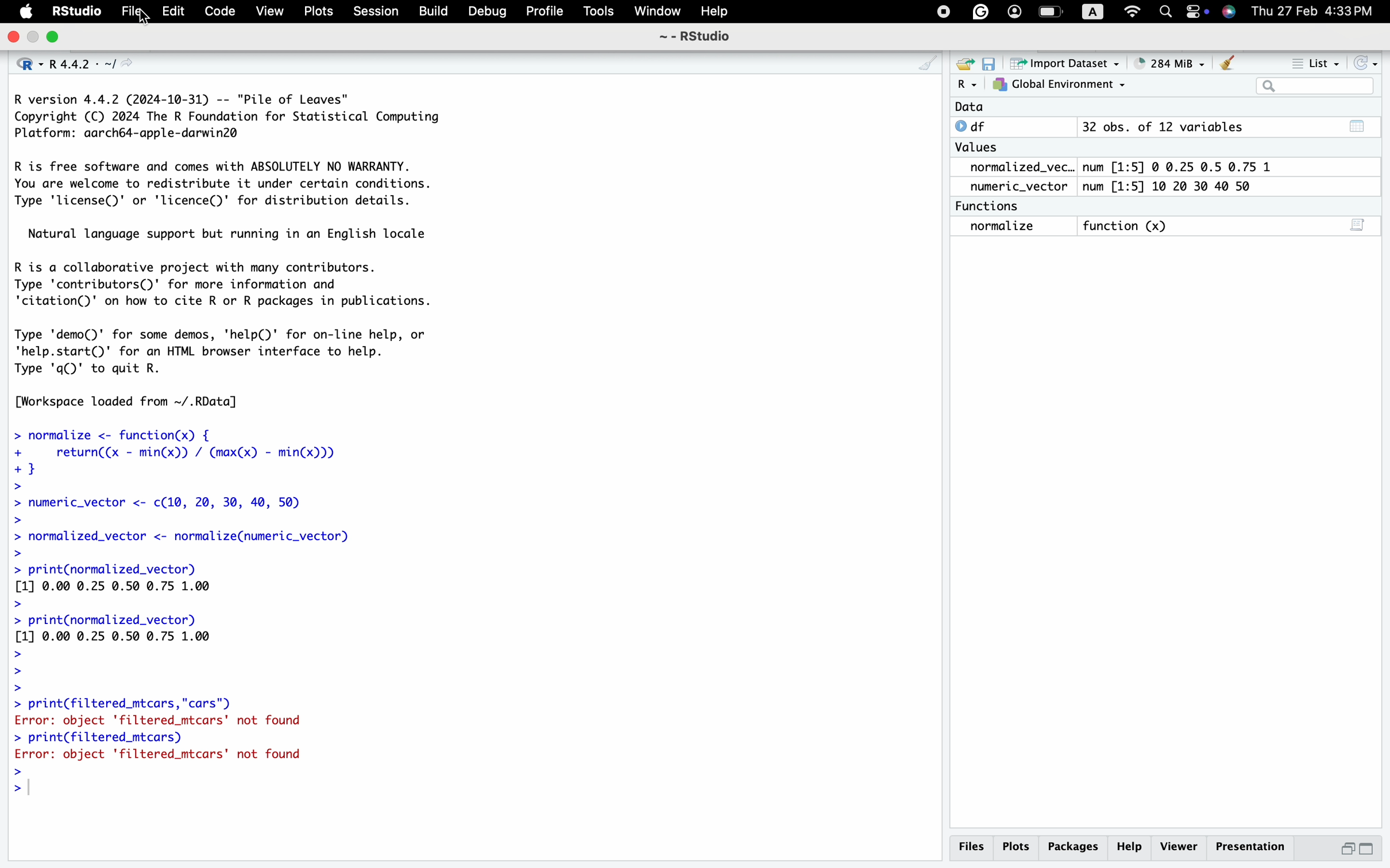  Describe the element at coordinates (1368, 848) in the screenshot. I see `maximise` at that location.